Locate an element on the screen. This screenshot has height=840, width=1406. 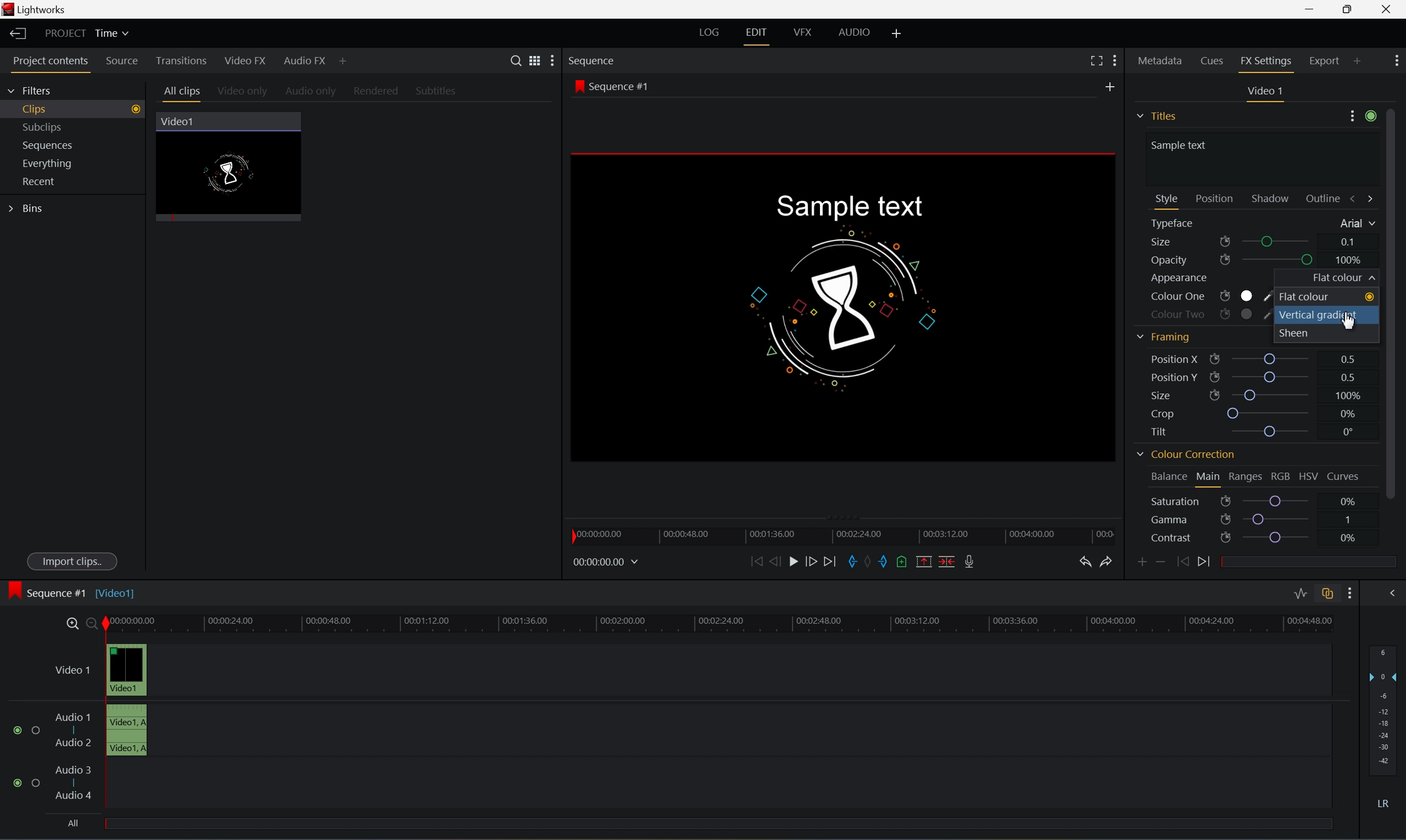
slider is located at coordinates (1272, 395).